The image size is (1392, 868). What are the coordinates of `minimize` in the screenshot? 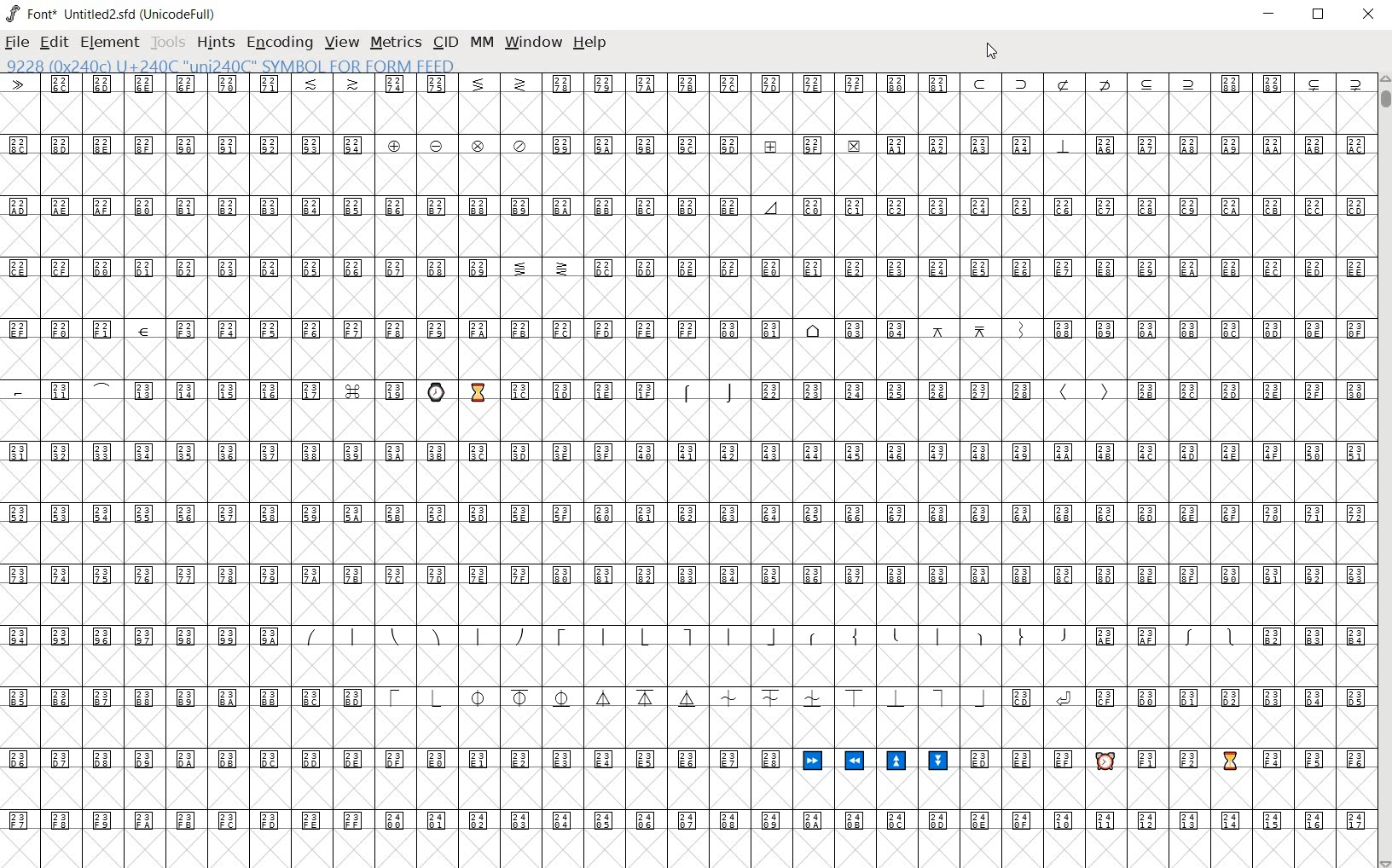 It's located at (1270, 14).